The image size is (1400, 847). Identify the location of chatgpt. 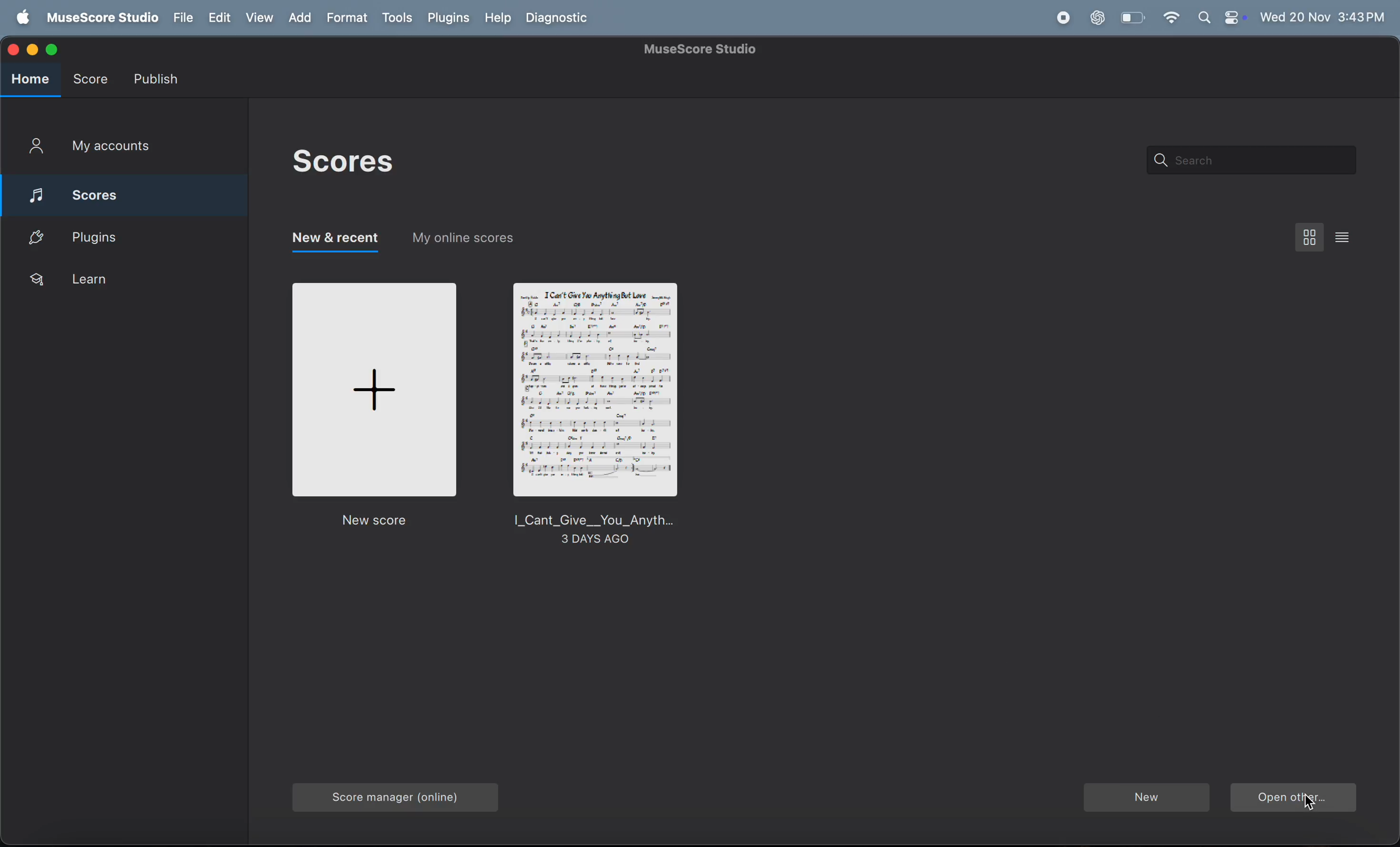
(1095, 18).